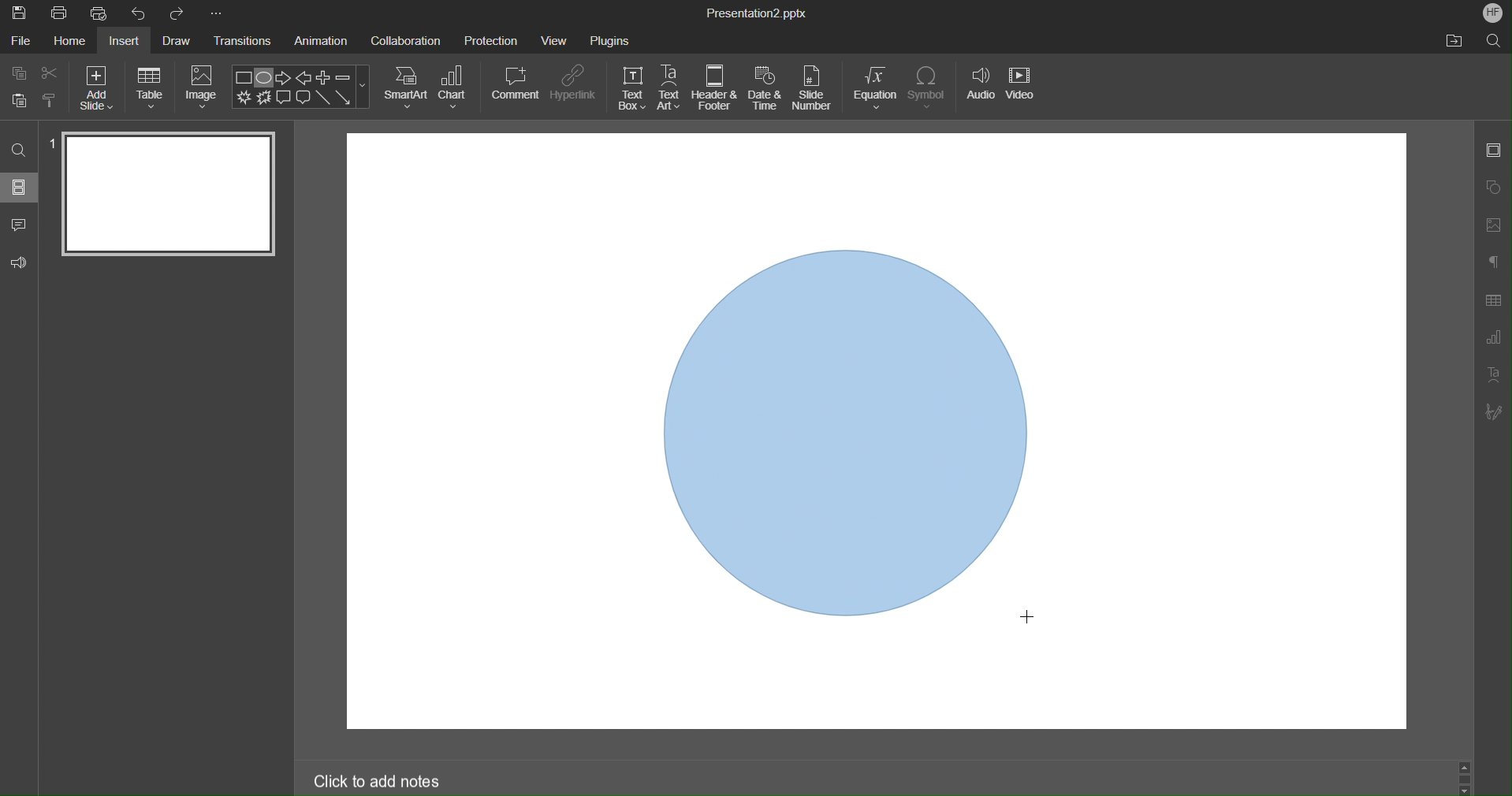  What do you see at coordinates (875, 88) in the screenshot?
I see `Equation` at bounding box center [875, 88].